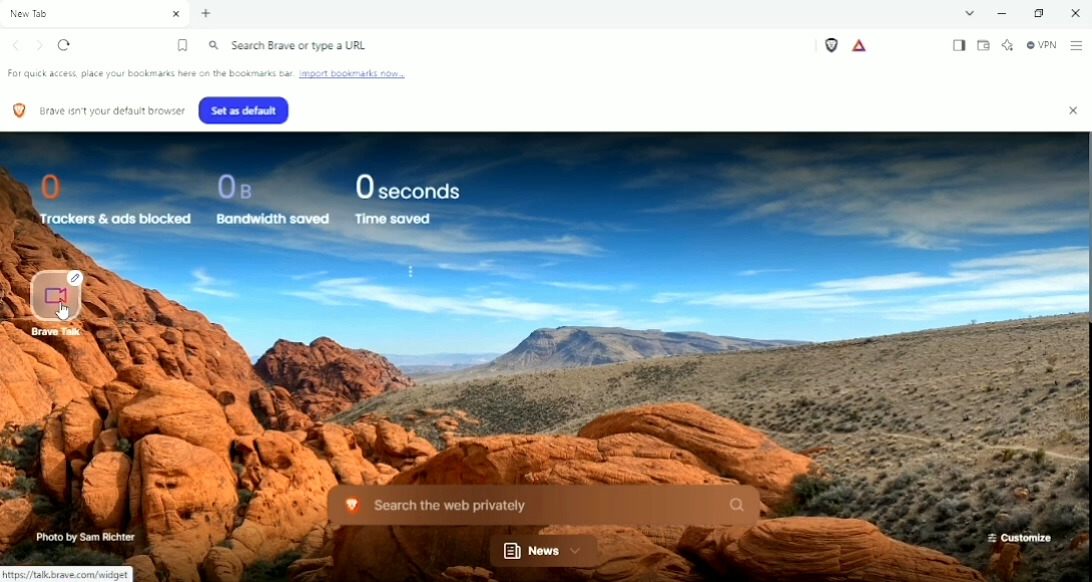 Image resolution: width=1092 pixels, height=582 pixels. Describe the element at coordinates (288, 46) in the screenshot. I see `Search Brave or type a URL` at that location.